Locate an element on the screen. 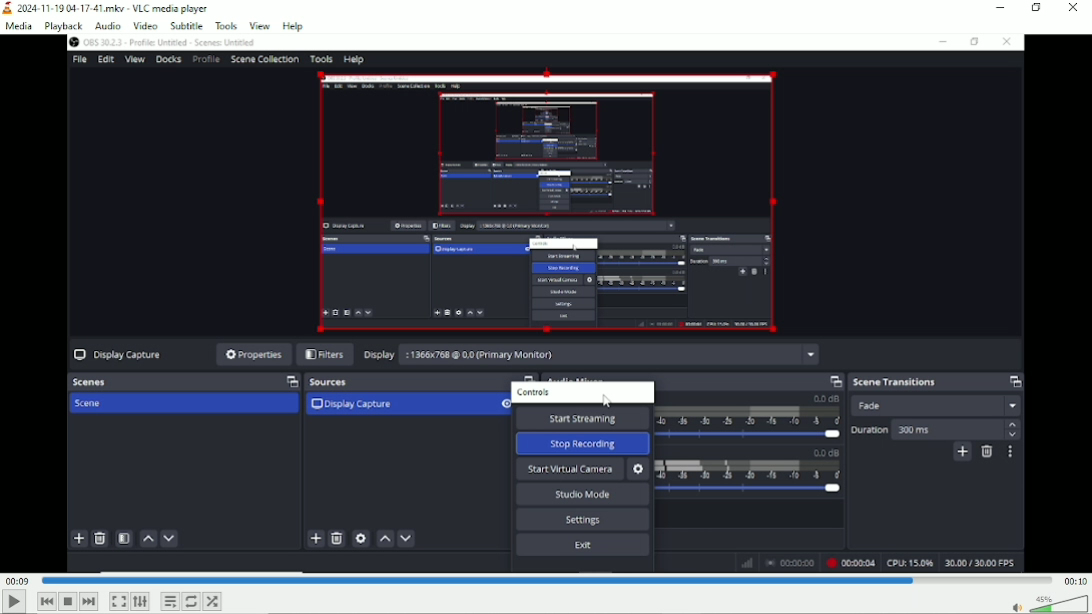 Image resolution: width=1092 pixels, height=614 pixels. Audio is located at coordinates (107, 25).